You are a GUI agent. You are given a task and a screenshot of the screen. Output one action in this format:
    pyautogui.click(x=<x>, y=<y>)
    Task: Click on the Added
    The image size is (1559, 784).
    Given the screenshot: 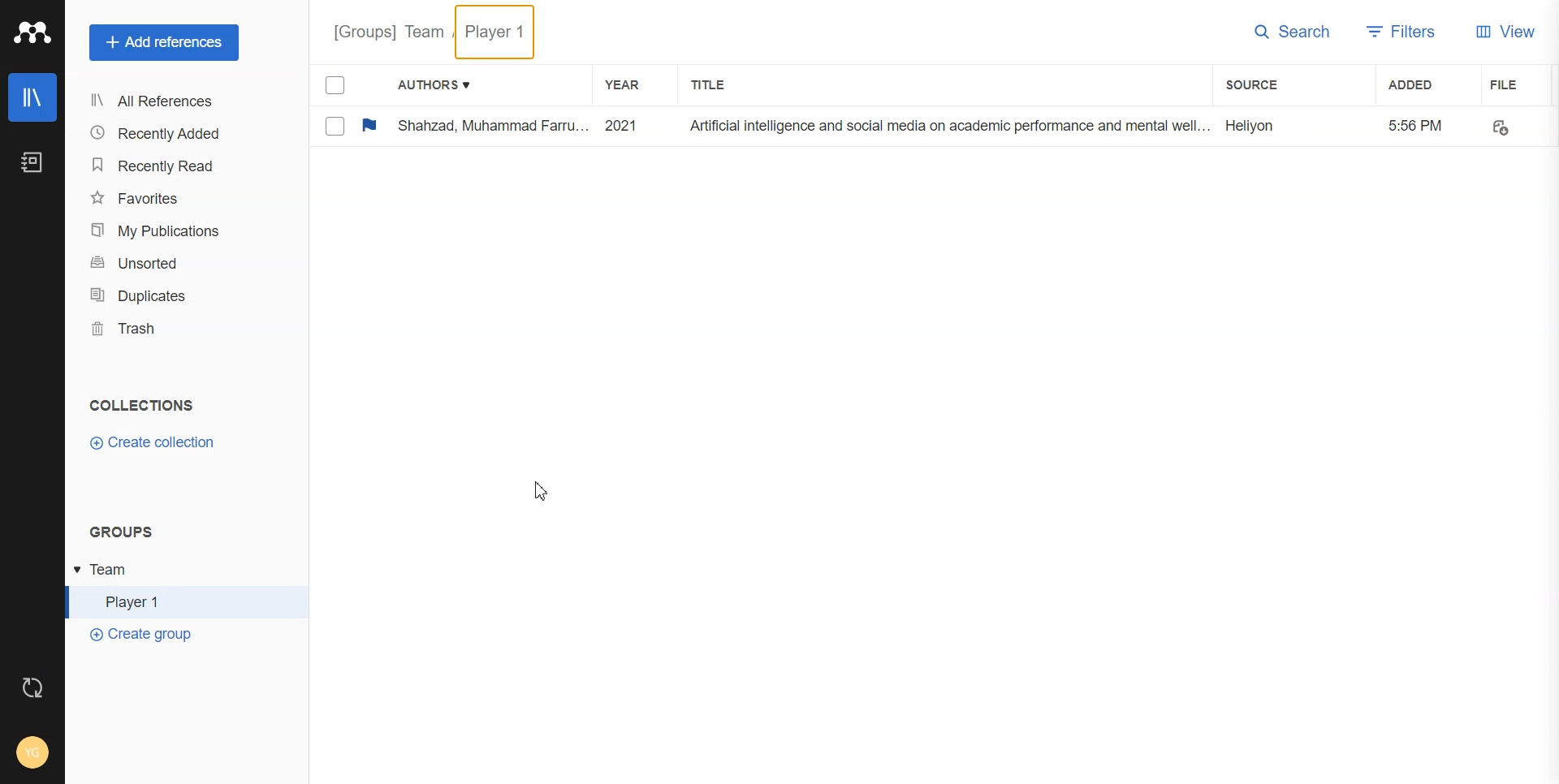 What is the action you would take?
    pyautogui.click(x=1418, y=85)
    